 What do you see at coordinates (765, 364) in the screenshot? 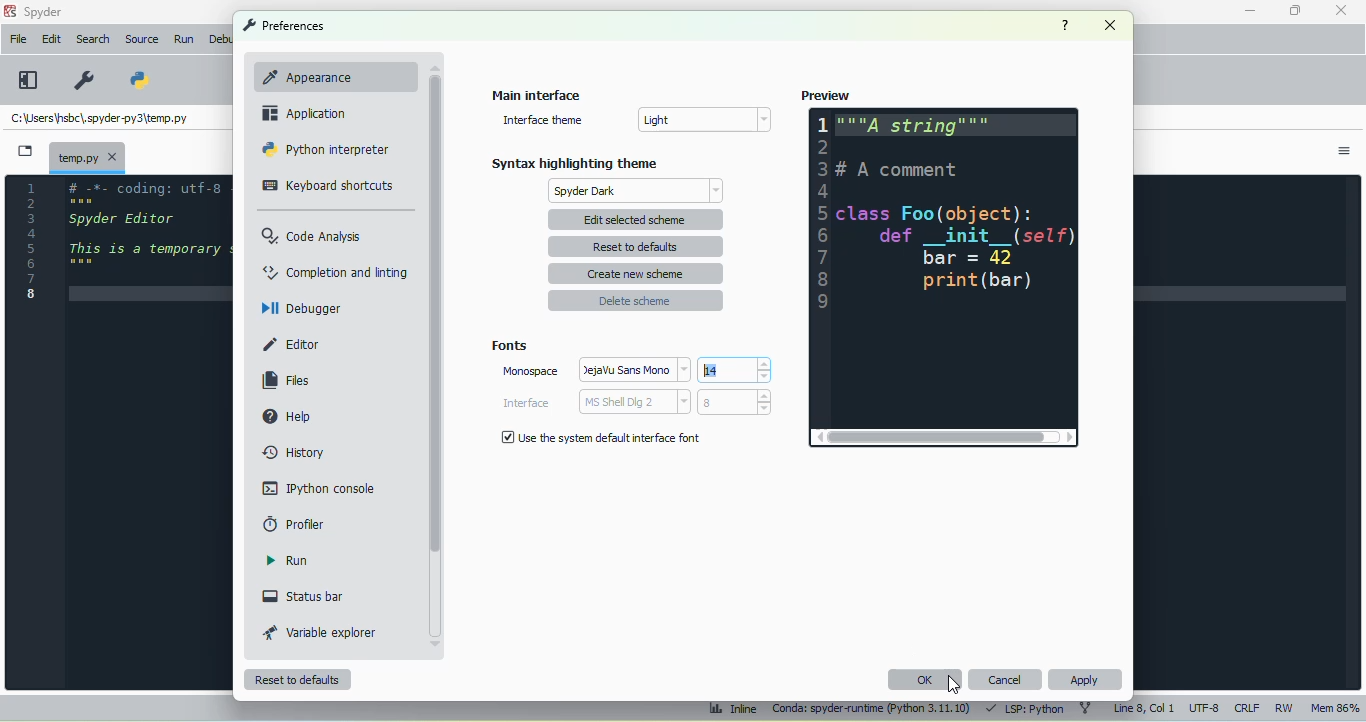
I see `increase size` at bounding box center [765, 364].